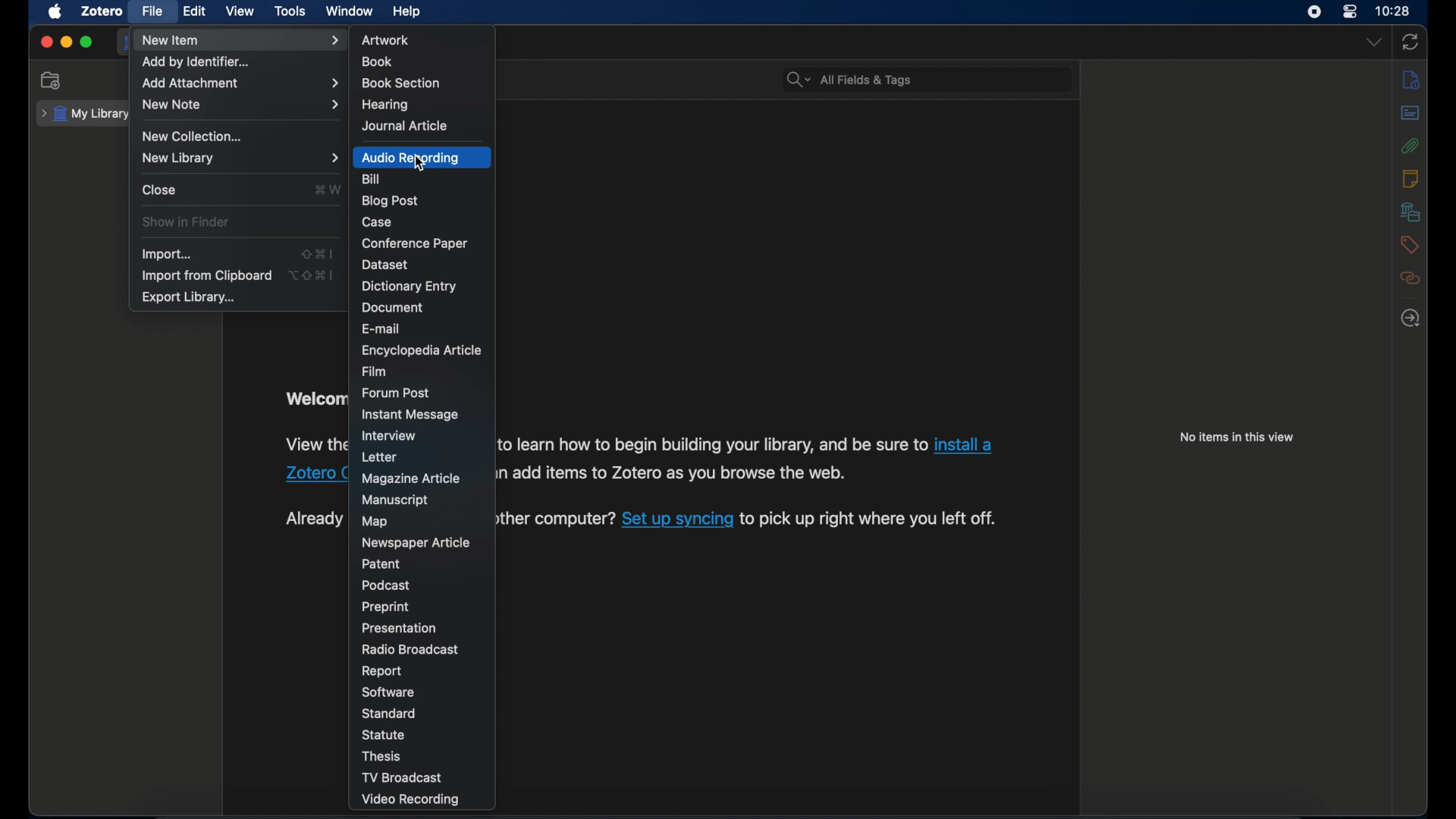  Describe the element at coordinates (1393, 10) in the screenshot. I see `time` at that location.